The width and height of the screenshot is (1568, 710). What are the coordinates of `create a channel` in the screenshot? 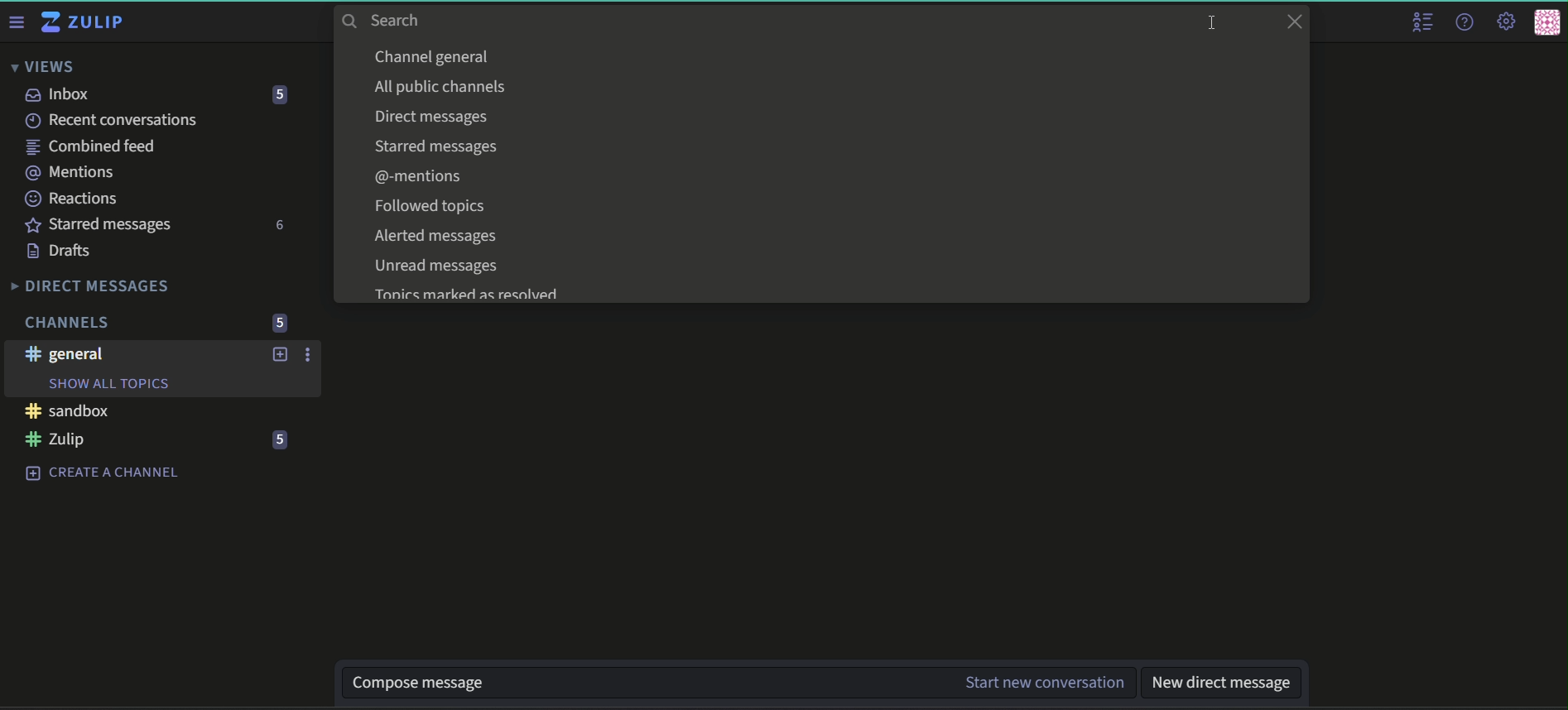 It's located at (99, 473).